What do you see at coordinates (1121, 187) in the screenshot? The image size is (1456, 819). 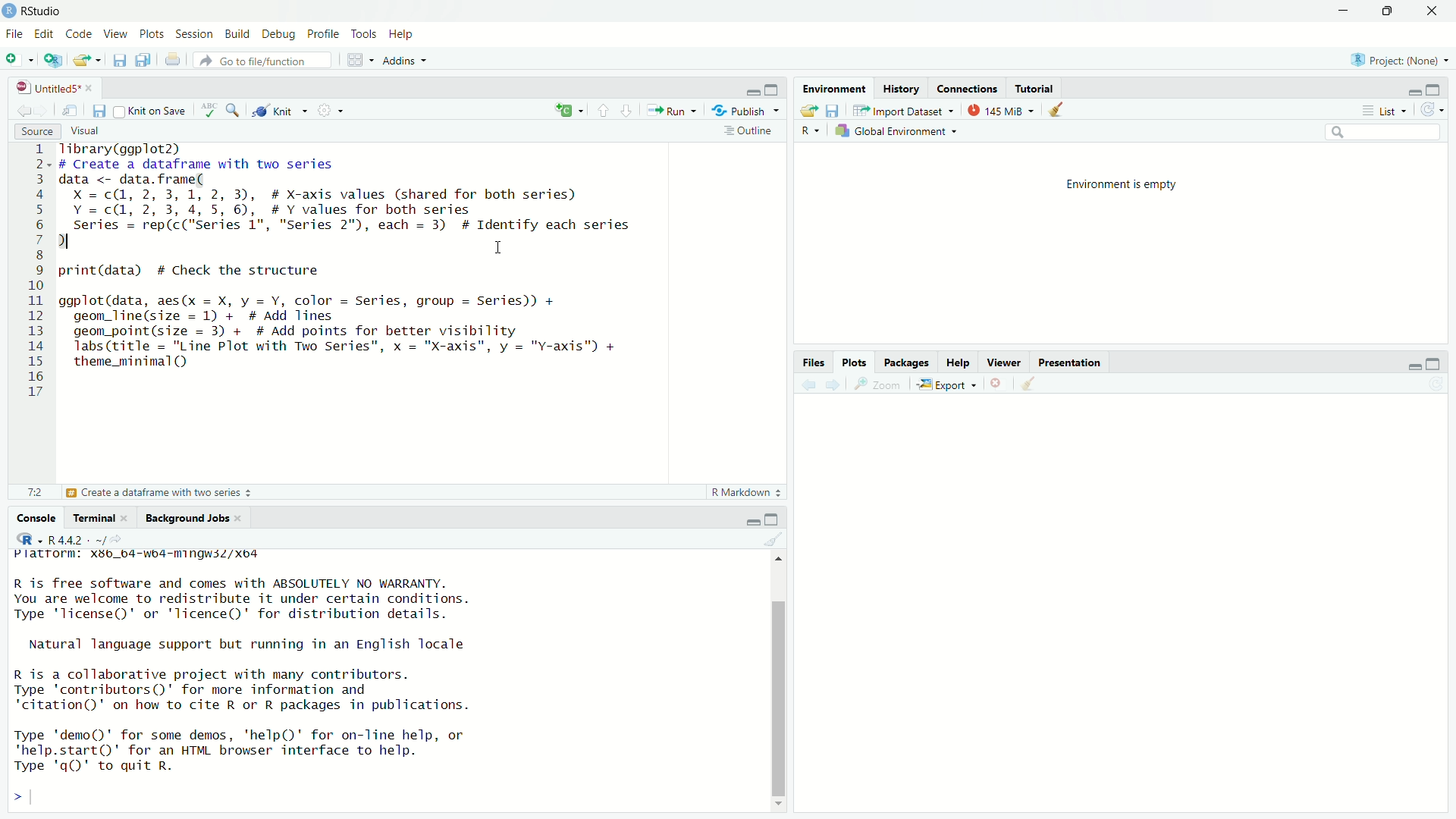 I see `Enviornment is empty` at bounding box center [1121, 187].